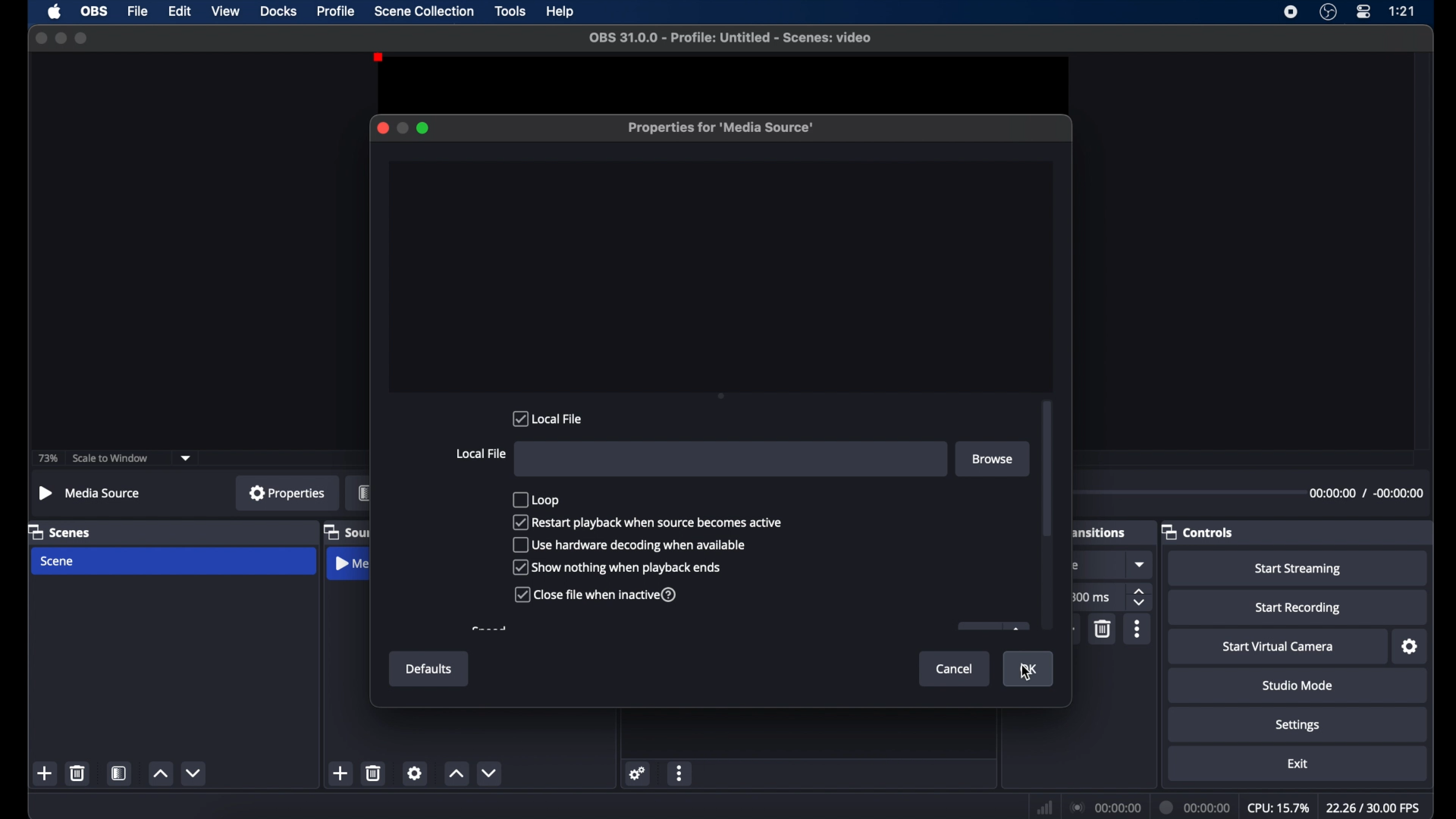 The width and height of the screenshot is (1456, 819). What do you see at coordinates (1195, 807) in the screenshot?
I see `duration` at bounding box center [1195, 807].